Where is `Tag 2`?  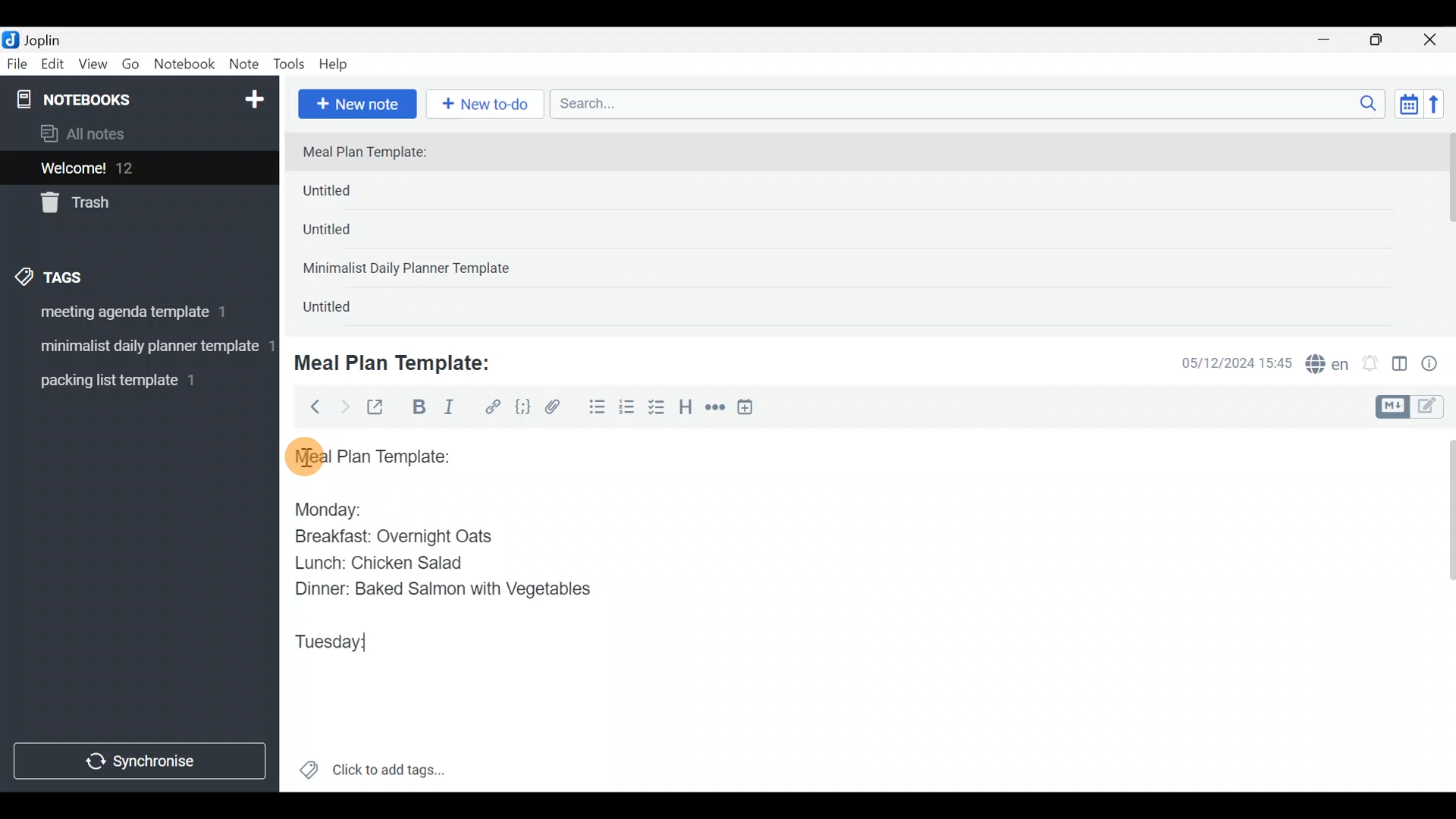 Tag 2 is located at coordinates (139, 348).